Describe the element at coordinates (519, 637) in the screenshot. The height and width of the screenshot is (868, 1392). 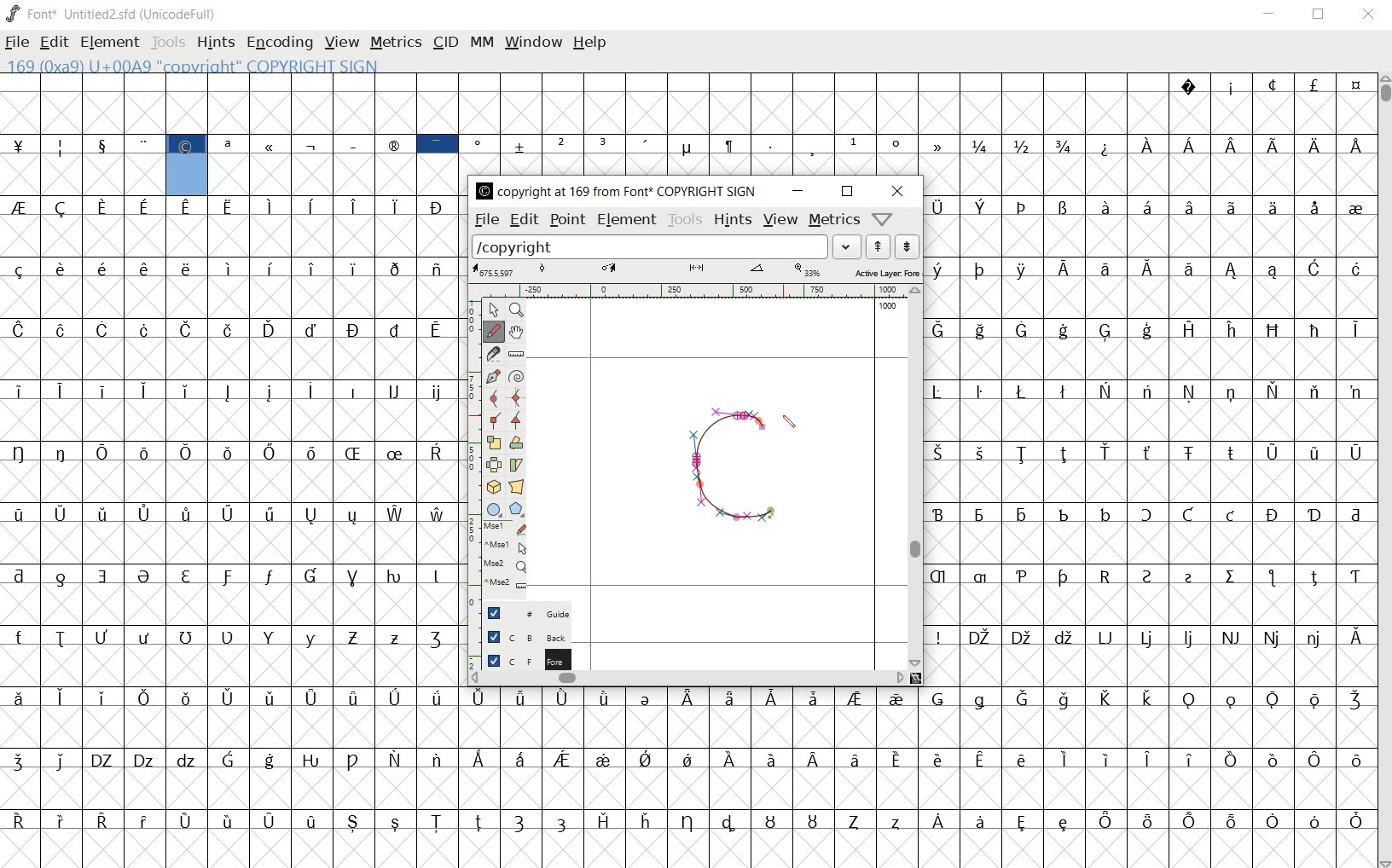
I see `background layer` at that location.